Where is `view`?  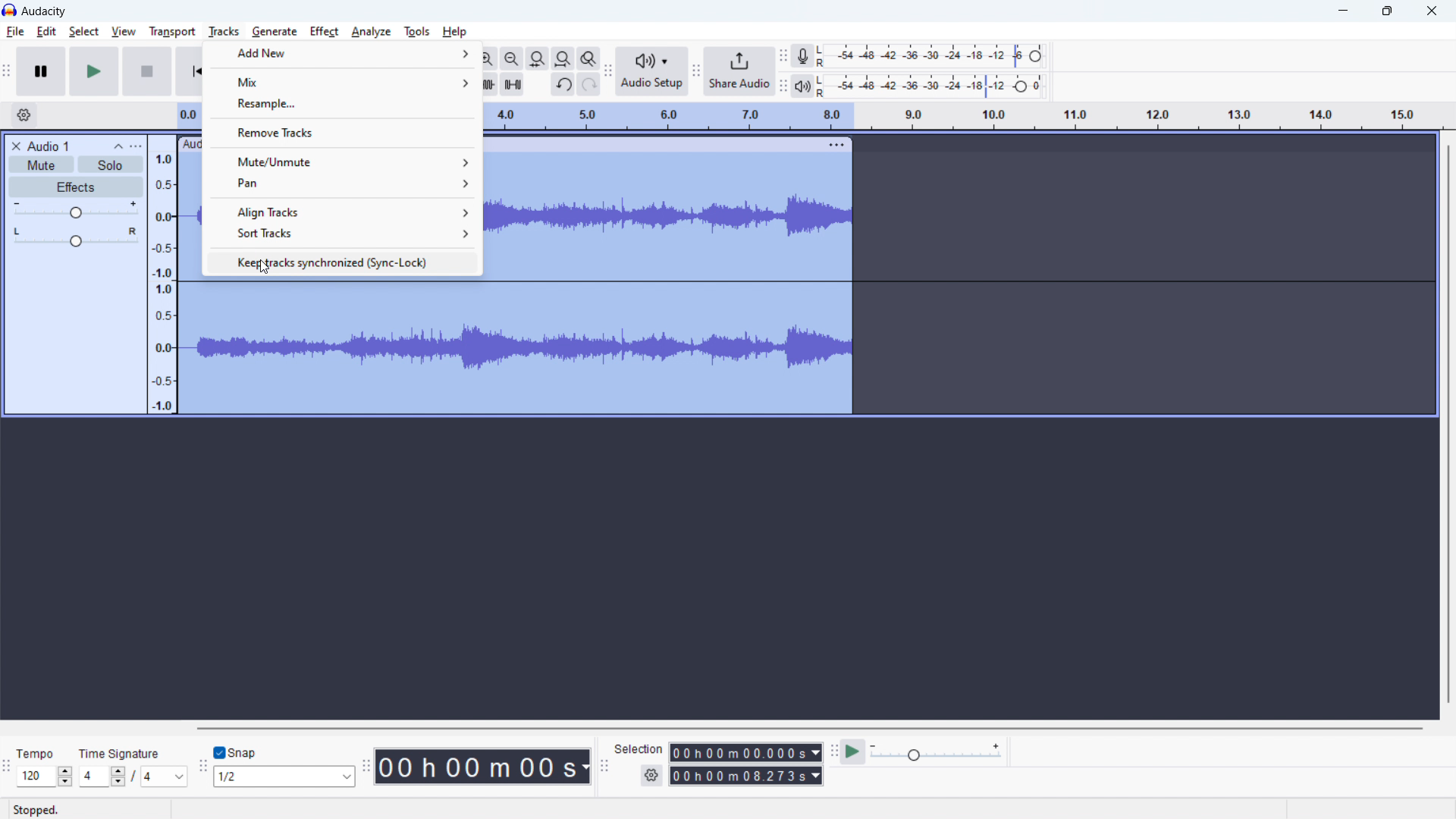 view is located at coordinates (123, 31).